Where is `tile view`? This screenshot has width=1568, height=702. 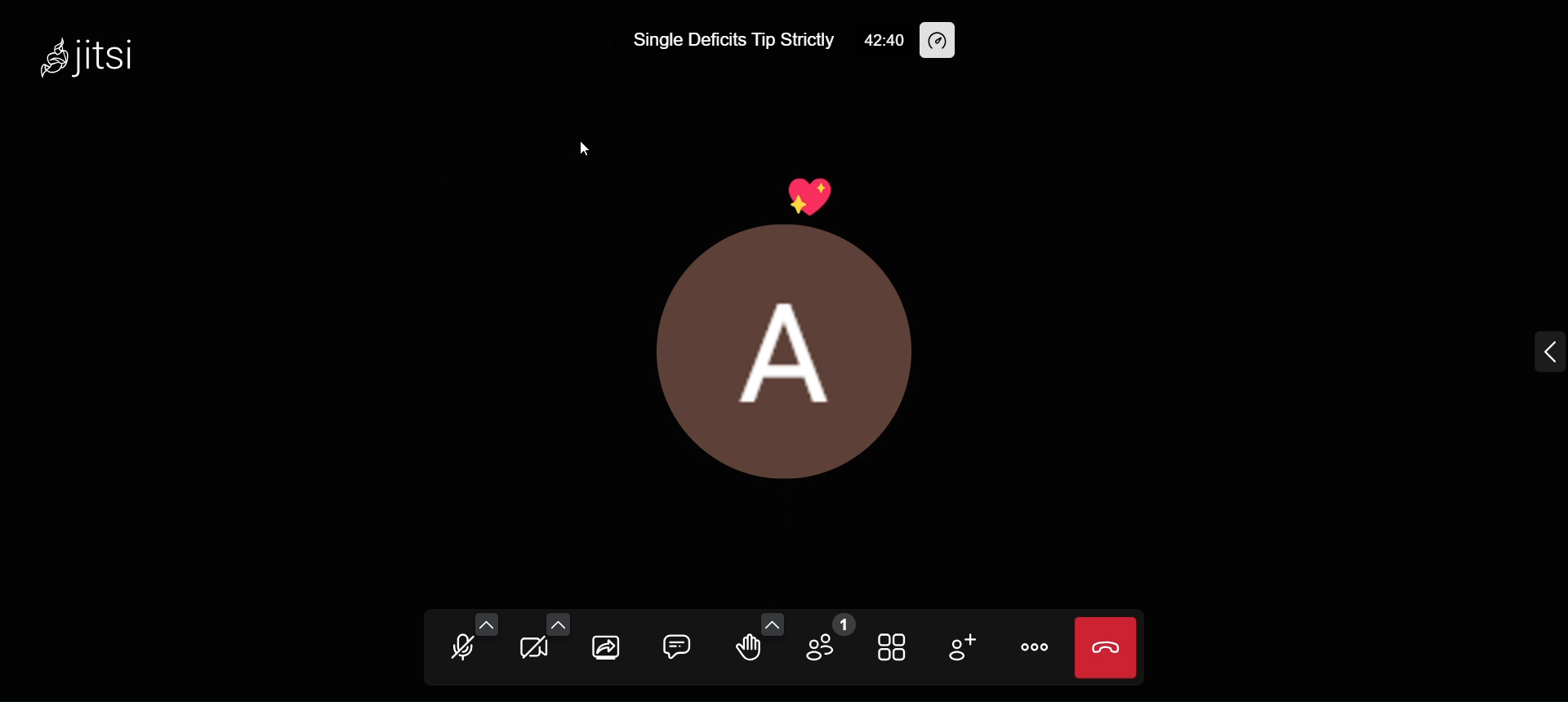 tile view is located at coordinates (895, 645).